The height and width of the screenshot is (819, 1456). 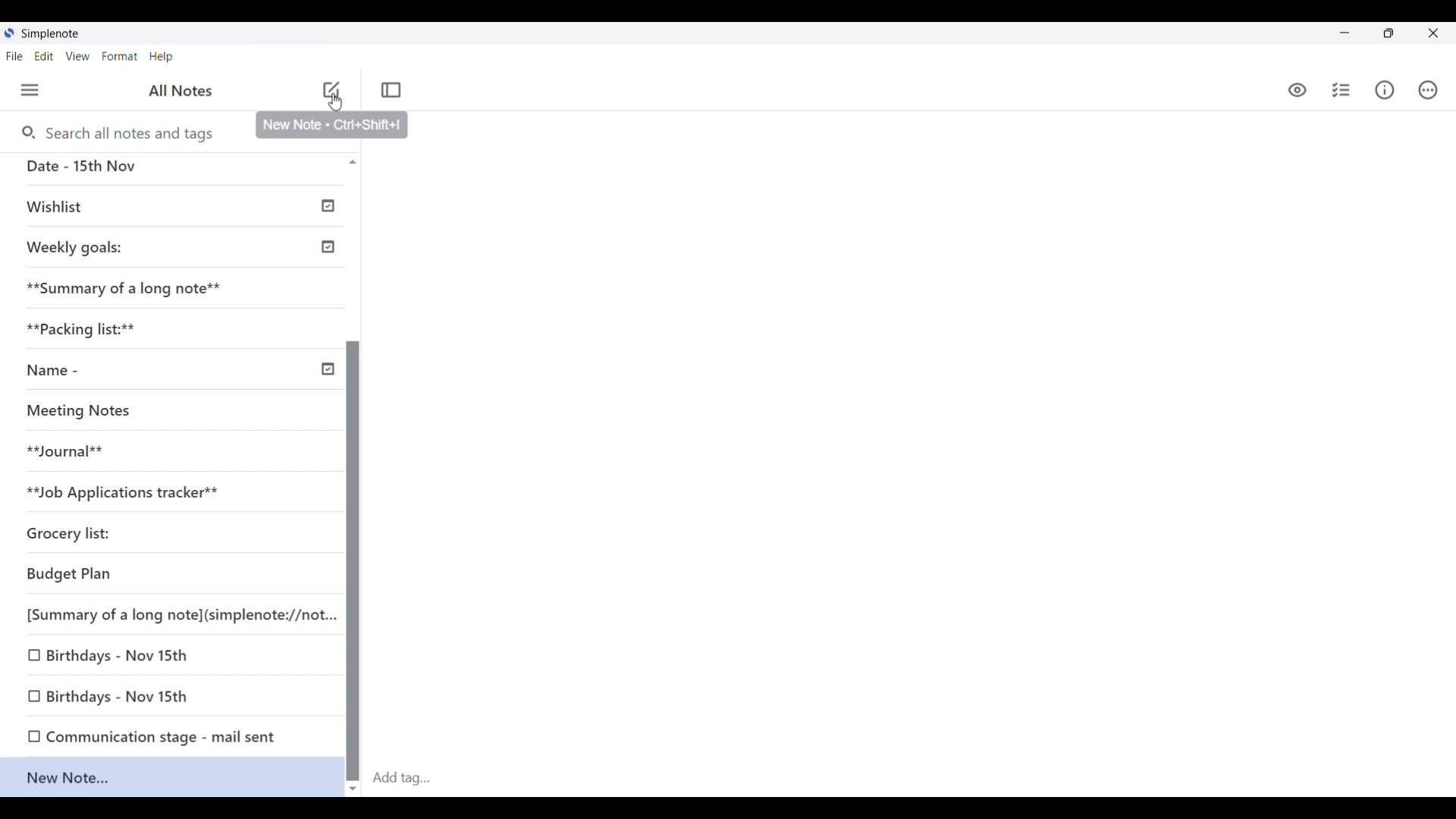 What do you see at coordinates (51, 33) in the screenshot?
I see `simplenote` at bounding box center [51, 33].